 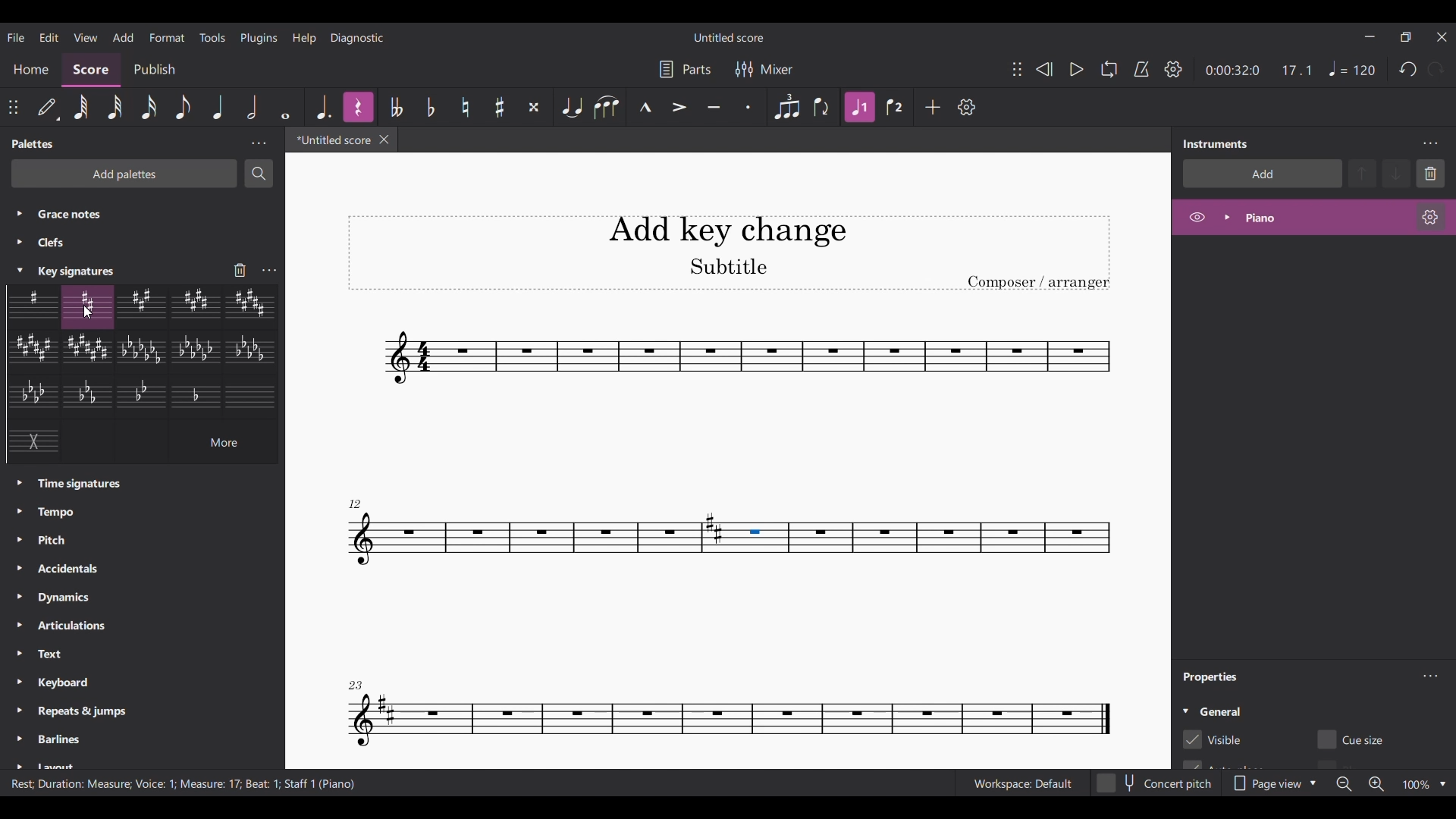 I want to click on Highlighted due to current selection, so click(x=860, y=107).